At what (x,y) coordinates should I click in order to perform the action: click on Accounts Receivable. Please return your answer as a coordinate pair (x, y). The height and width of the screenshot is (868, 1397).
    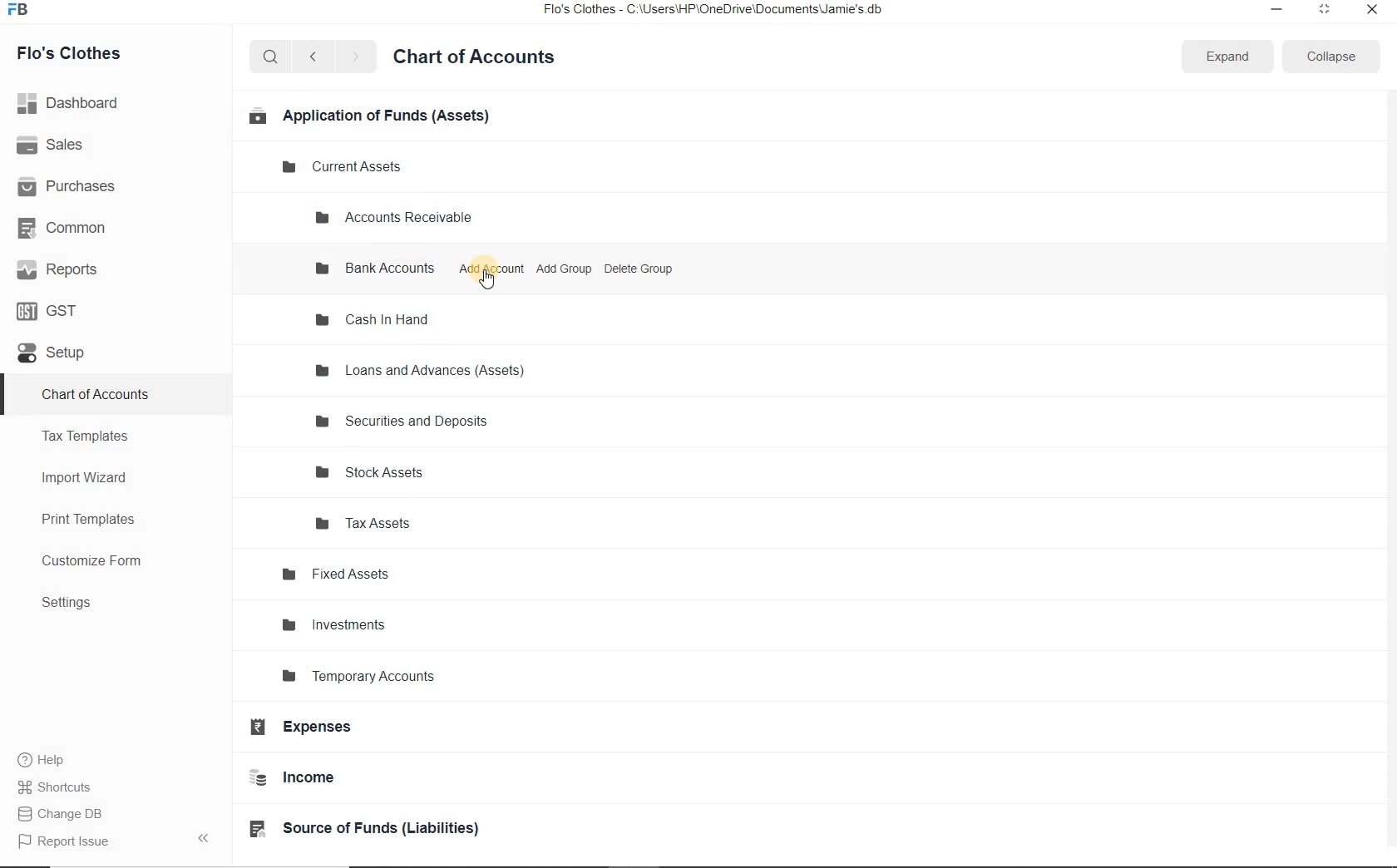
    Looking at the image, I should click on (403, 216).